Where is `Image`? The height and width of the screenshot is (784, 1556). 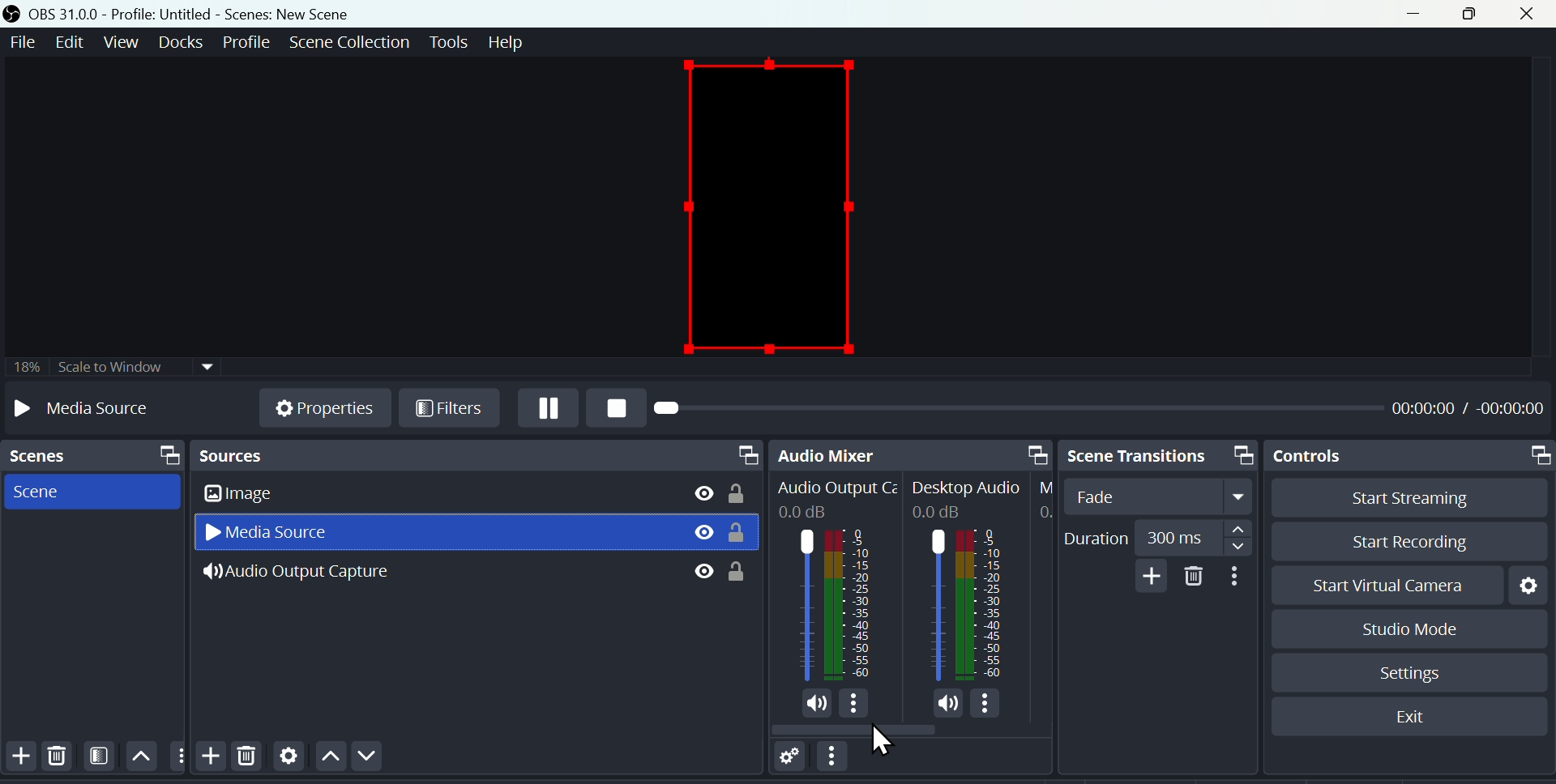
Image is located at coordinates (271, 495).